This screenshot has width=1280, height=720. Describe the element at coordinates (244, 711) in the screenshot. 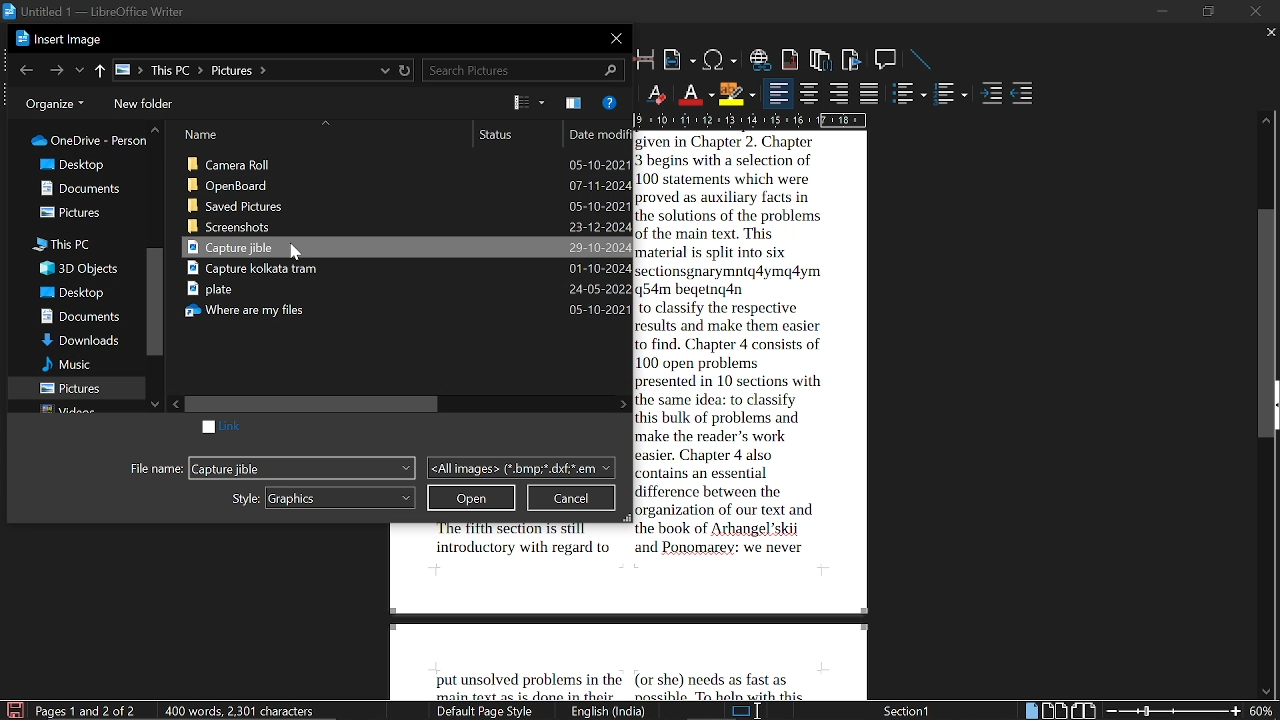

I see `400 words, 2301 characters` at that location.